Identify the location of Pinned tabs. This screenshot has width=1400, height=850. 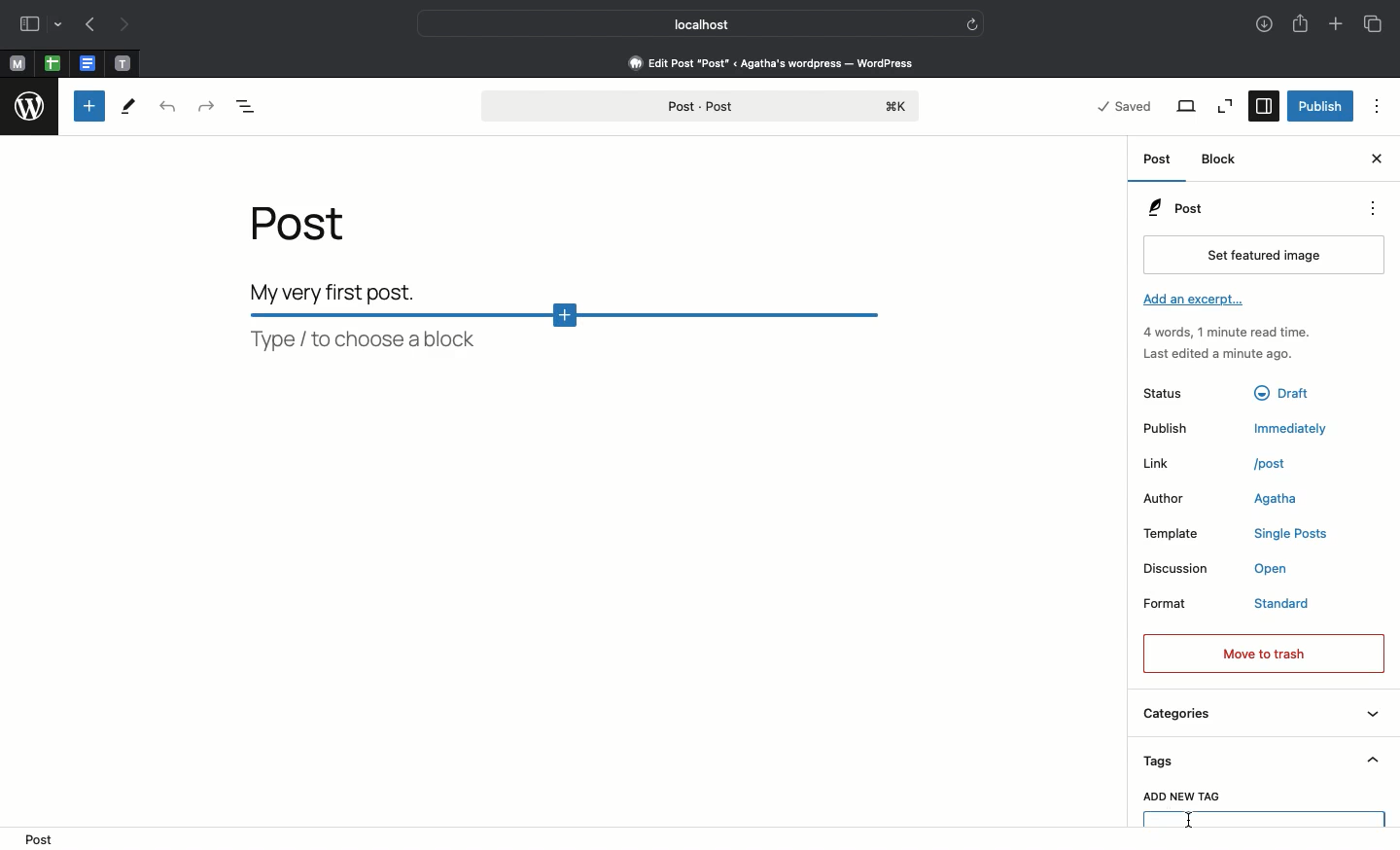
(88, 63).